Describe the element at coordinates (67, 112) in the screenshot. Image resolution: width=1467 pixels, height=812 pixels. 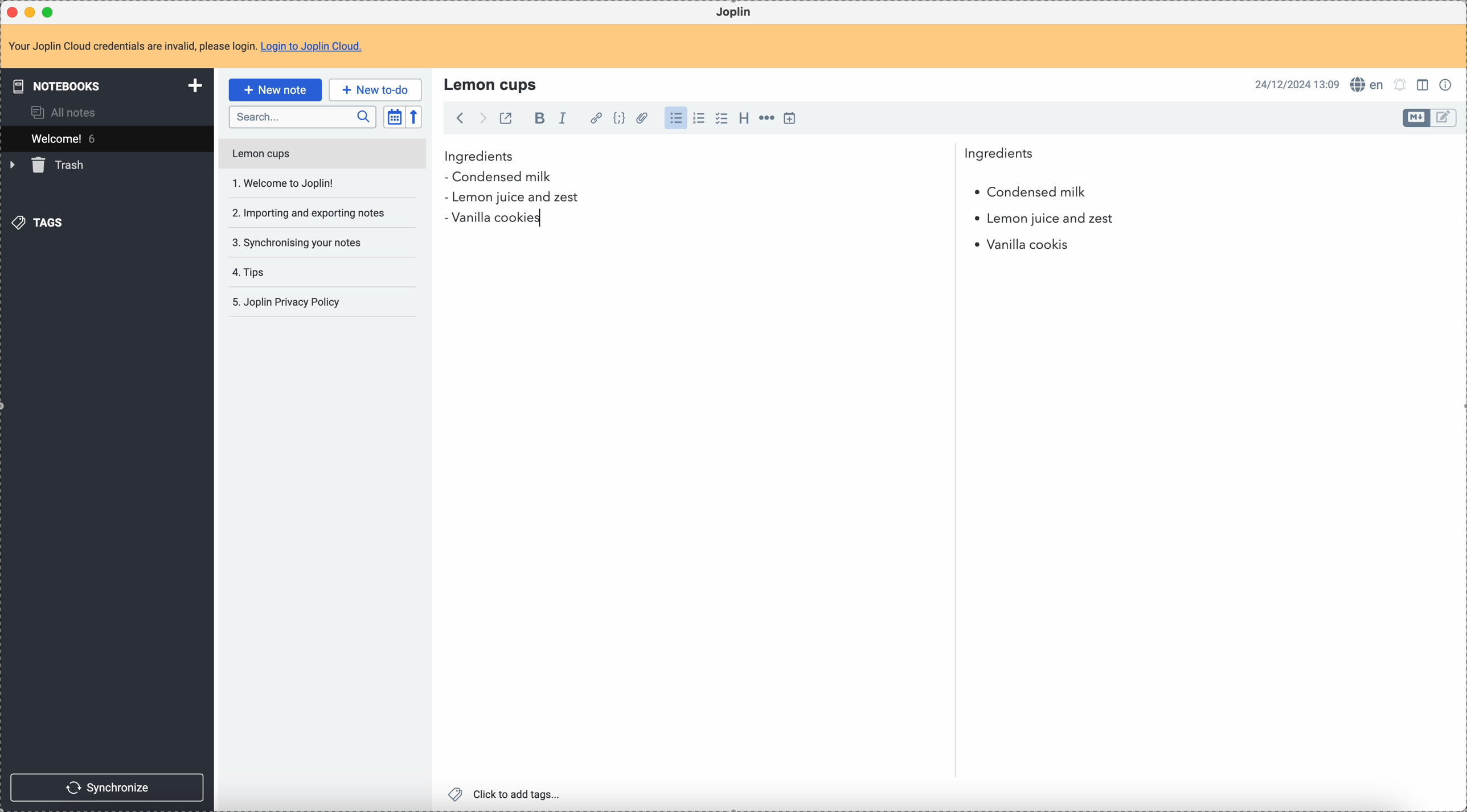
I see `all notes` at that location.